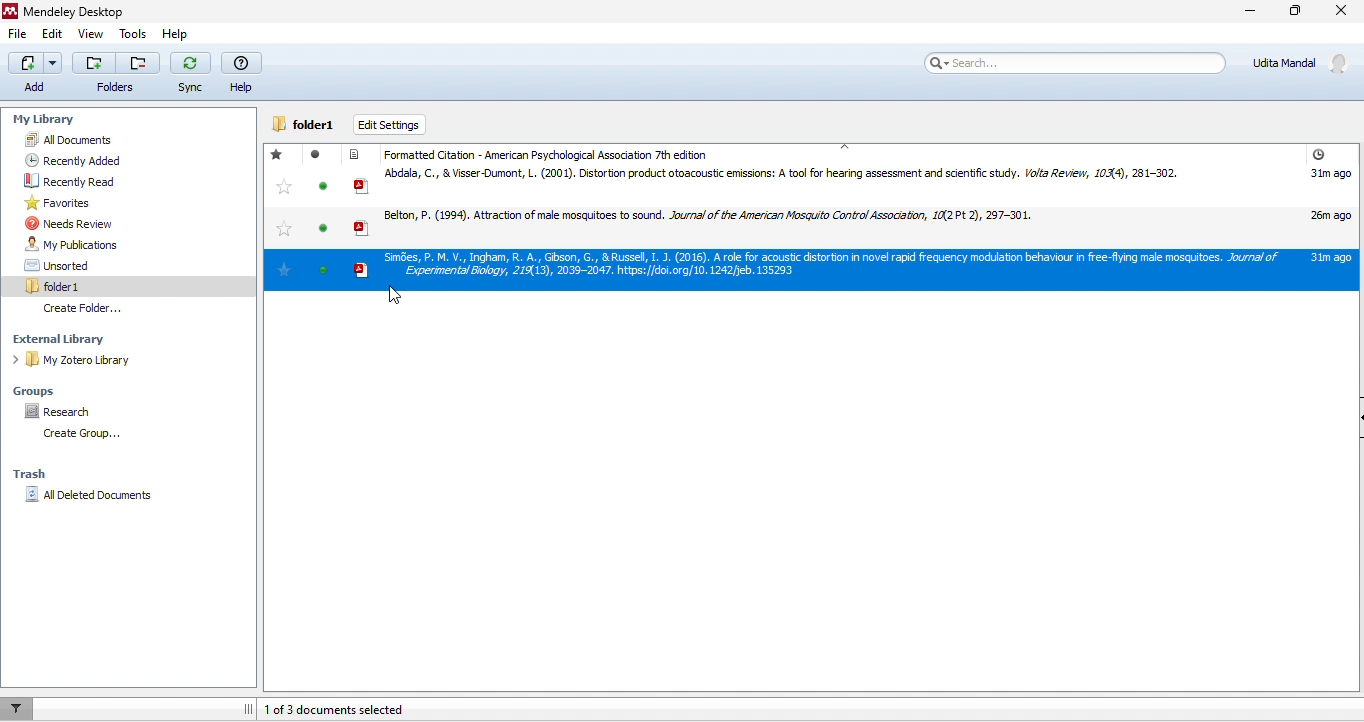  I want to click on search, so click(1071, 63).